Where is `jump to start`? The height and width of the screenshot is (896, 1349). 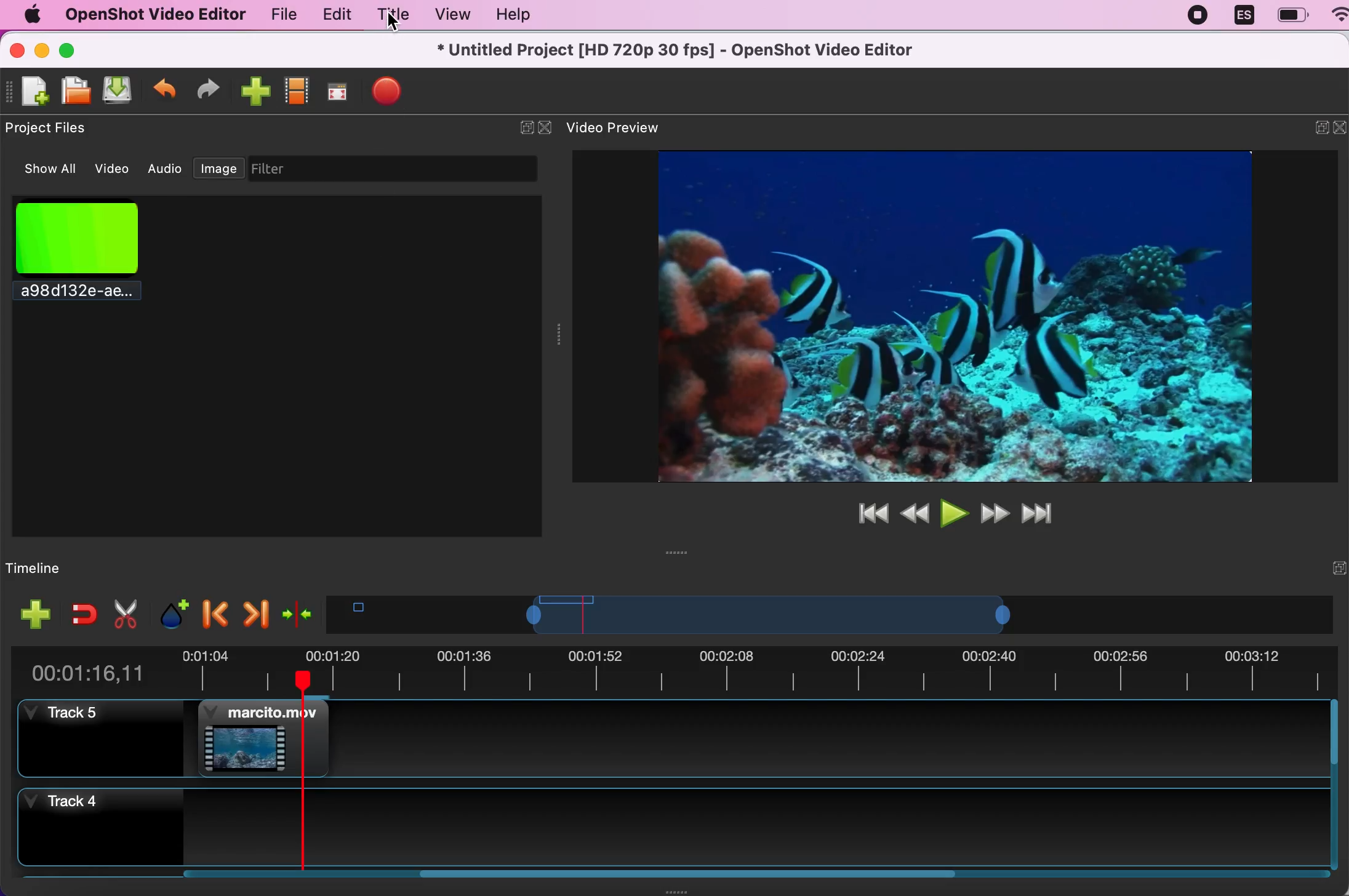
jump to start is located at coordinates (869, 513).